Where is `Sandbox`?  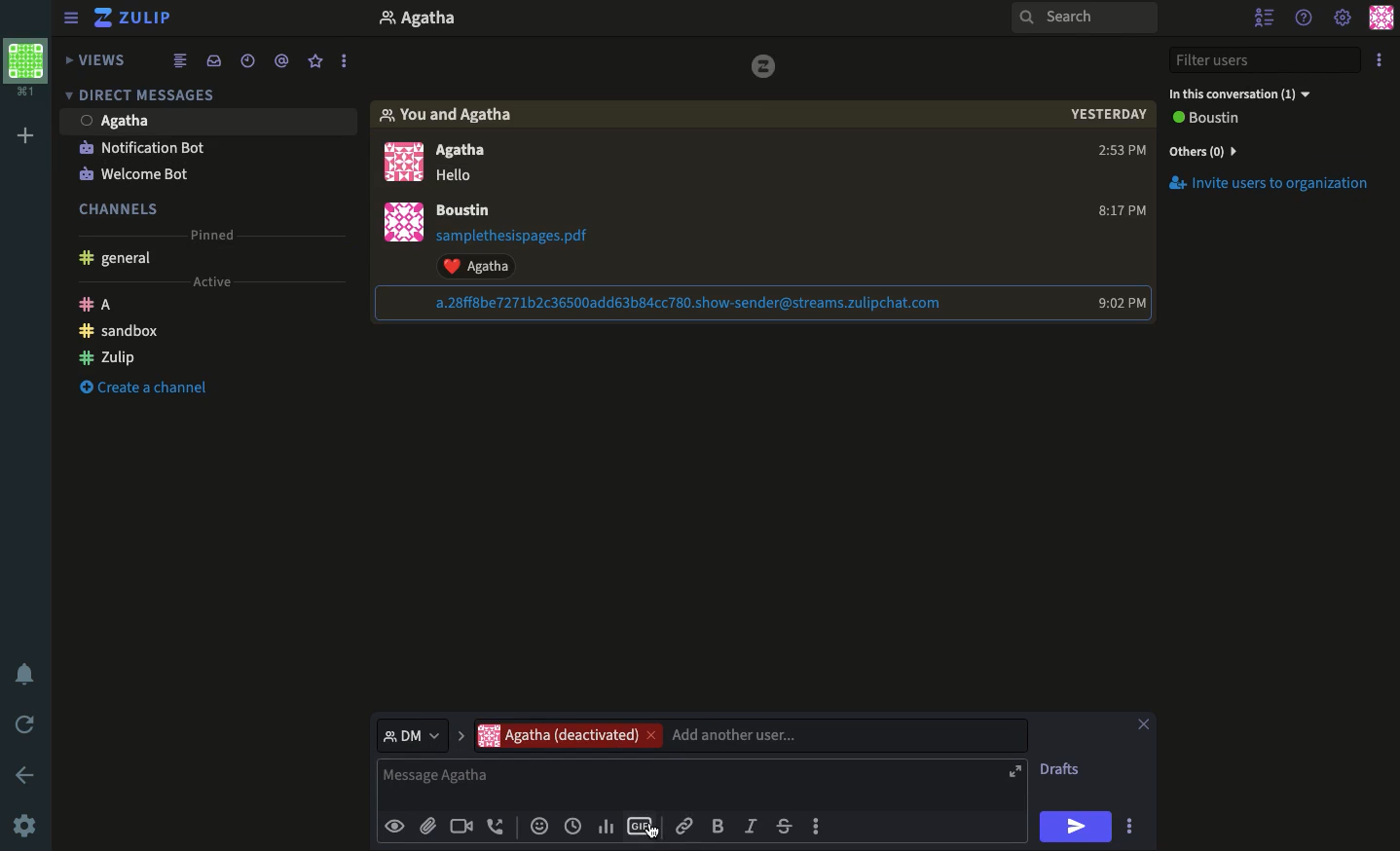
Sandbox is located at coordinates (116, 334).